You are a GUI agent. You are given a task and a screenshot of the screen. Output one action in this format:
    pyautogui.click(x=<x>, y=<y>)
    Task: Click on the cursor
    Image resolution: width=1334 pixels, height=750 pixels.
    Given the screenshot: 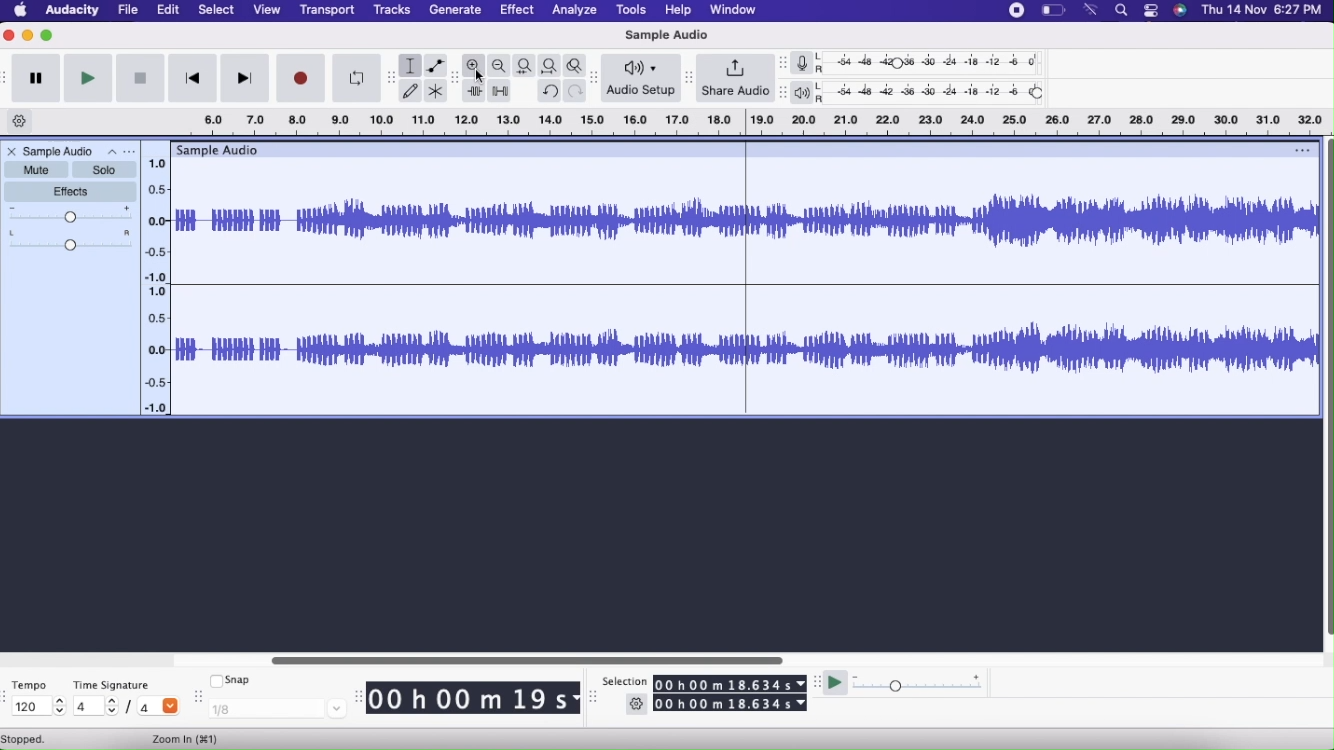 What is the action you would take?
    pyautogui.click(x=480, y=77)
    